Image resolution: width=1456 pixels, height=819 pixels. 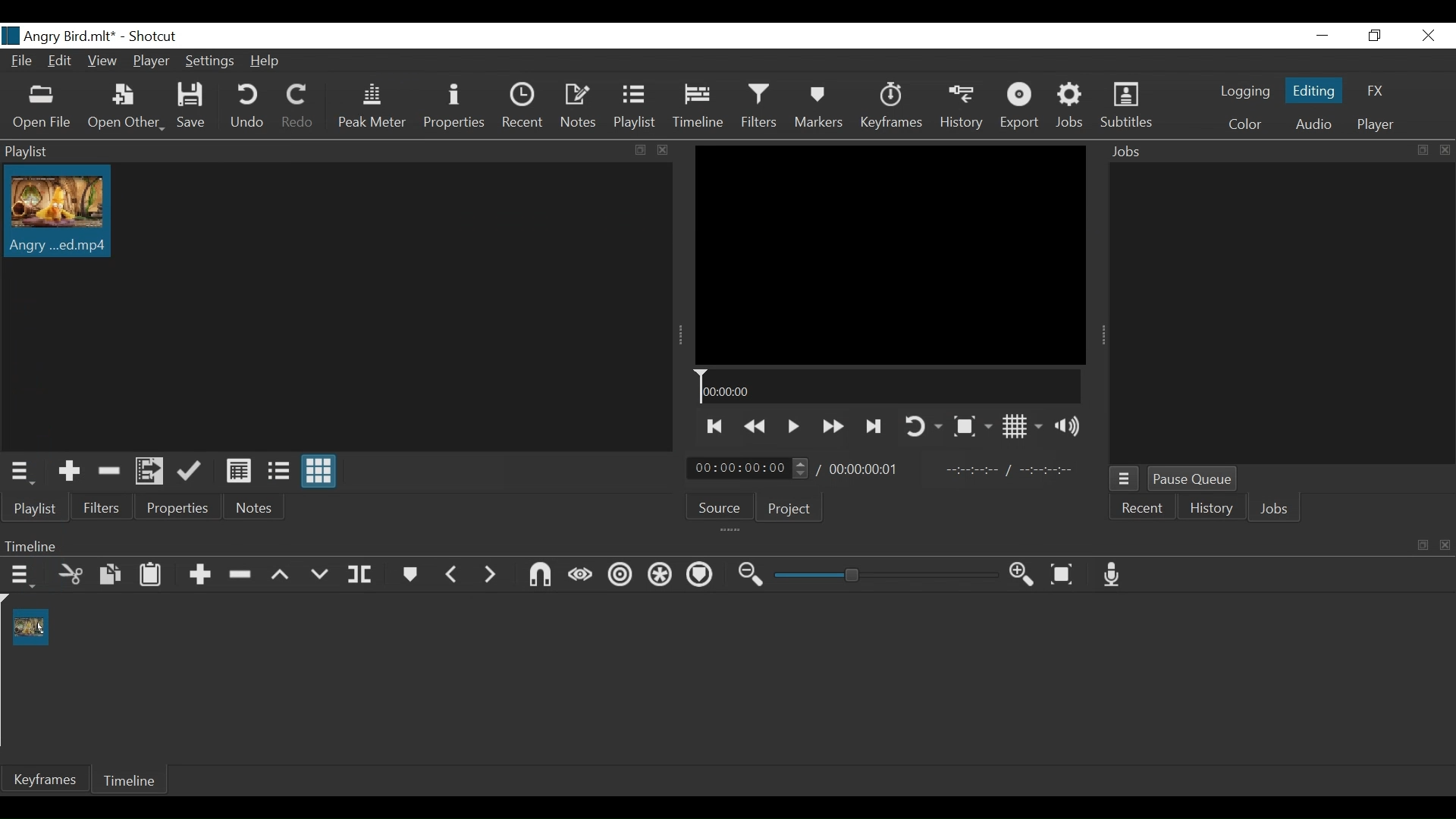 I want to click on Play quickly backward, so click(x=754, y=427).